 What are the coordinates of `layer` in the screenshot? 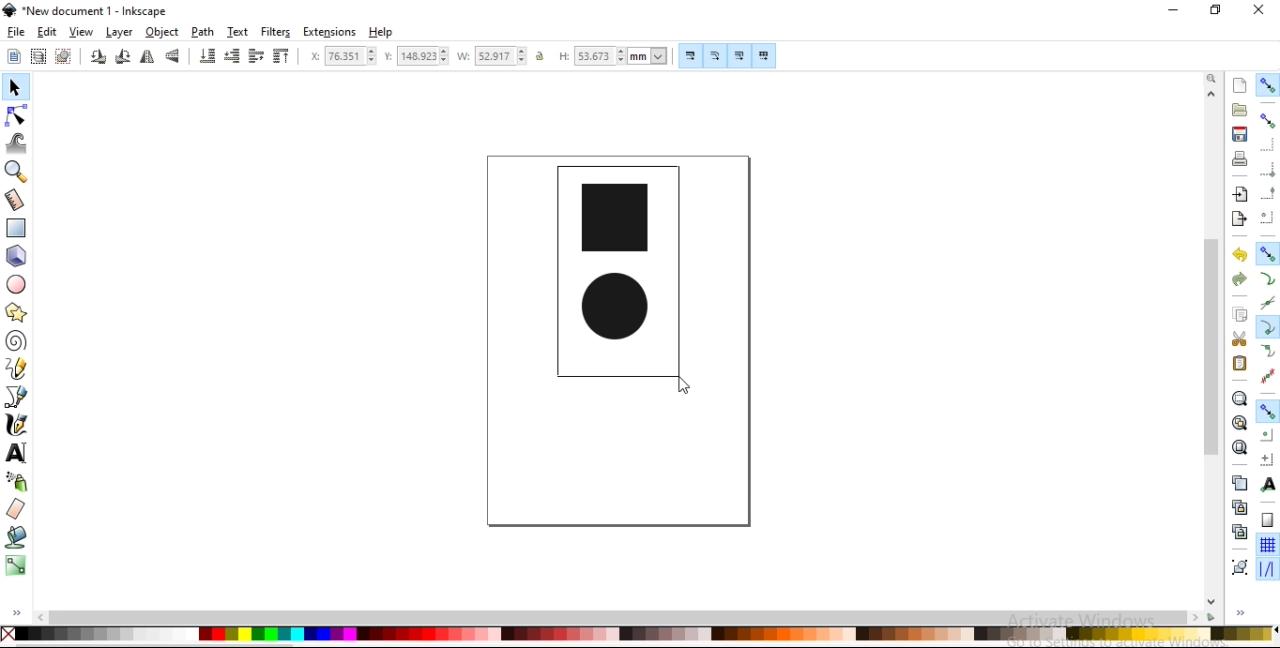 It's located at (118, 33).